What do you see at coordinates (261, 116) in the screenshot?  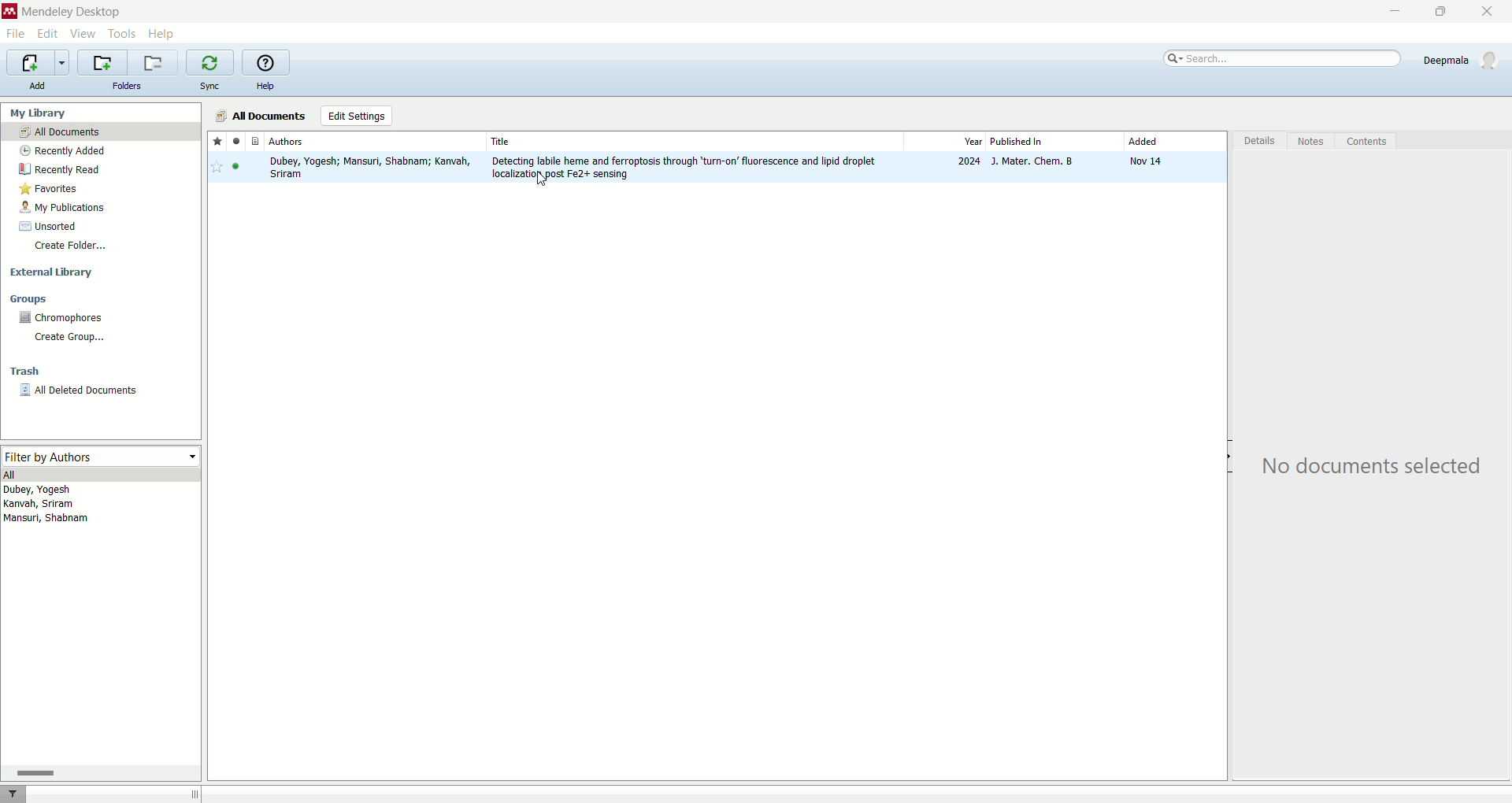 I see `all documents` at bounding box center [261, 116].